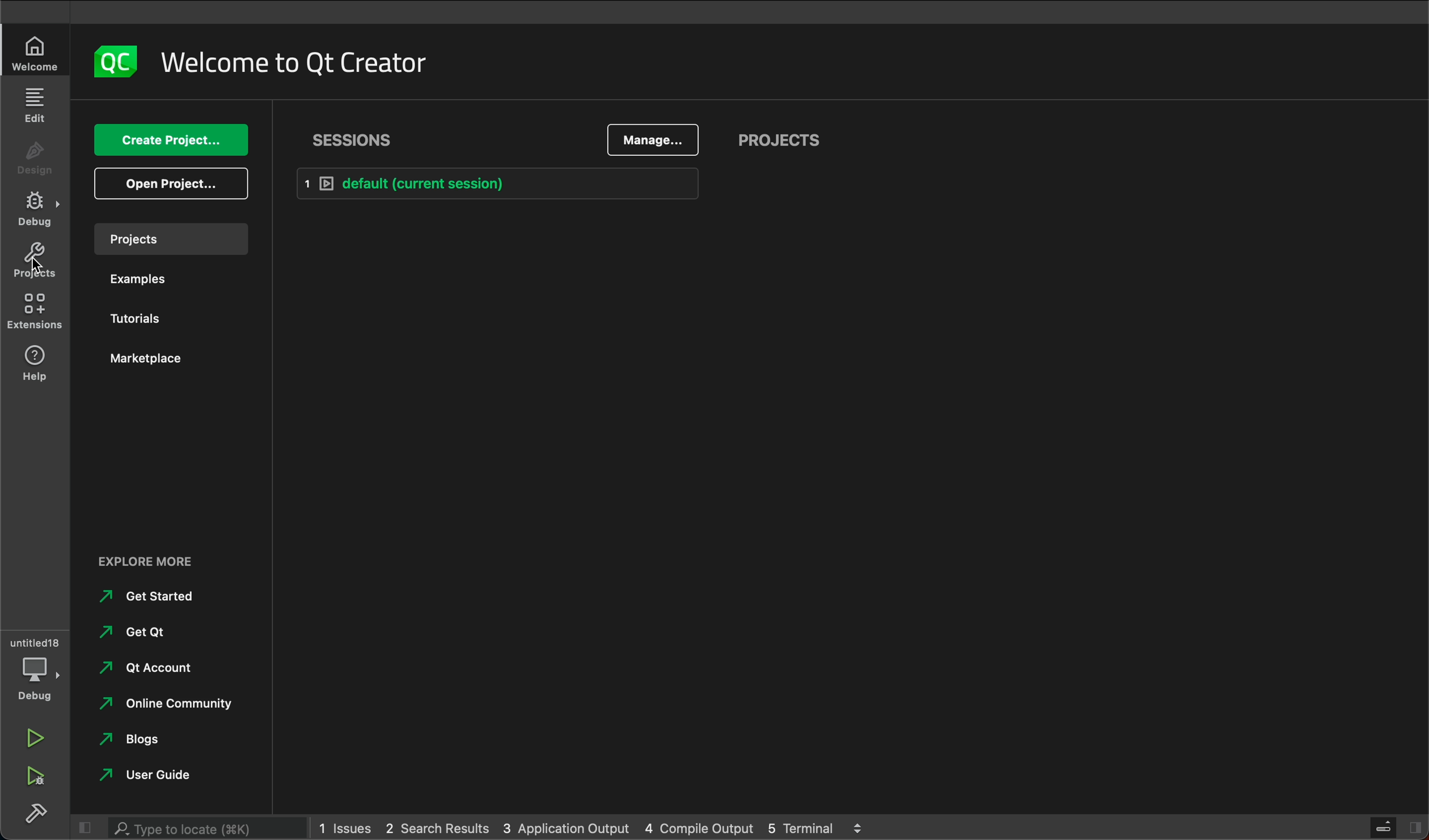  What do you see at coordinates (117, 63) in the screenshot?
I see `logo` at bounding box center [117, 63].